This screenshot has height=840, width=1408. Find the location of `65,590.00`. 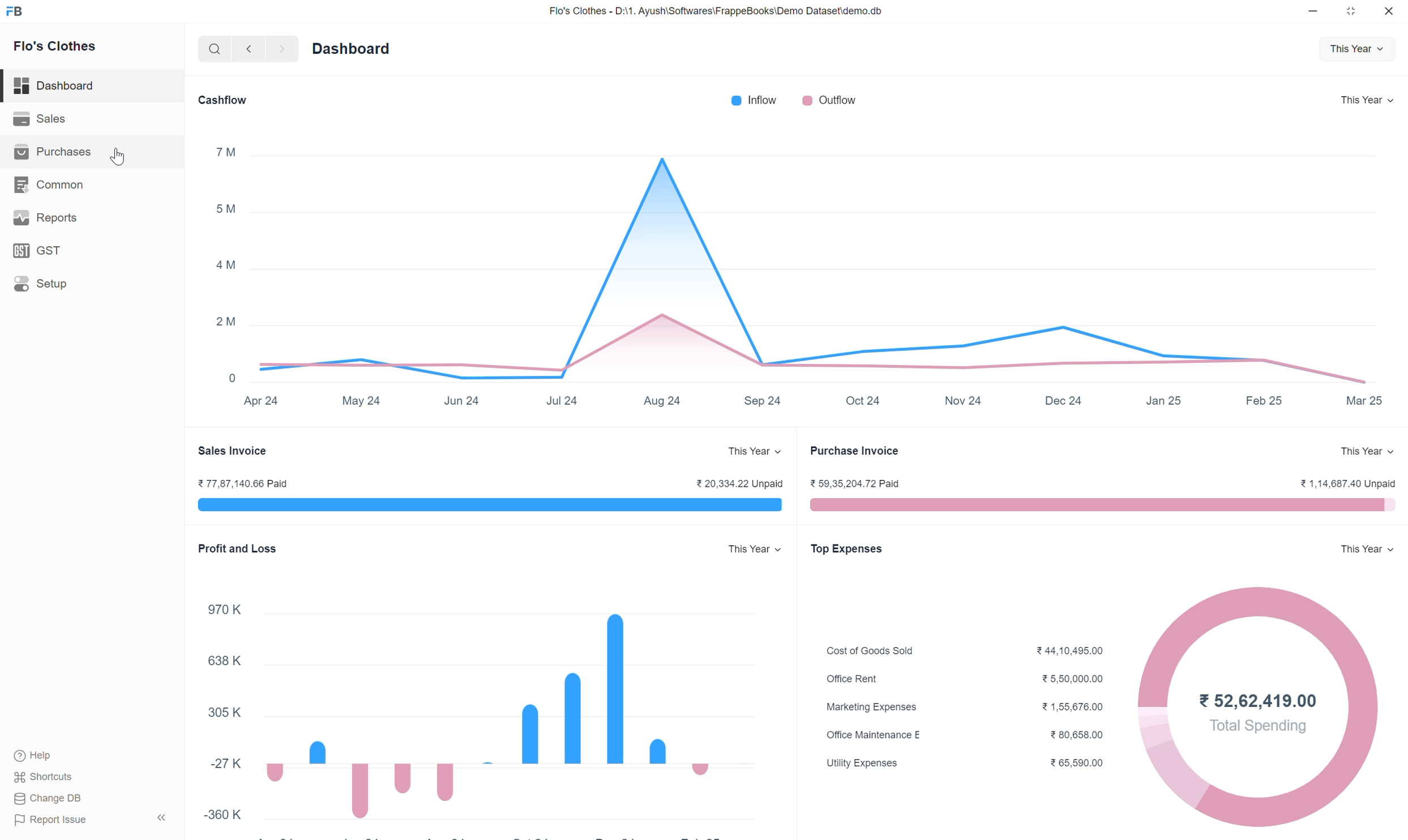

65,590.00 is located at coordinates (1077, 762).